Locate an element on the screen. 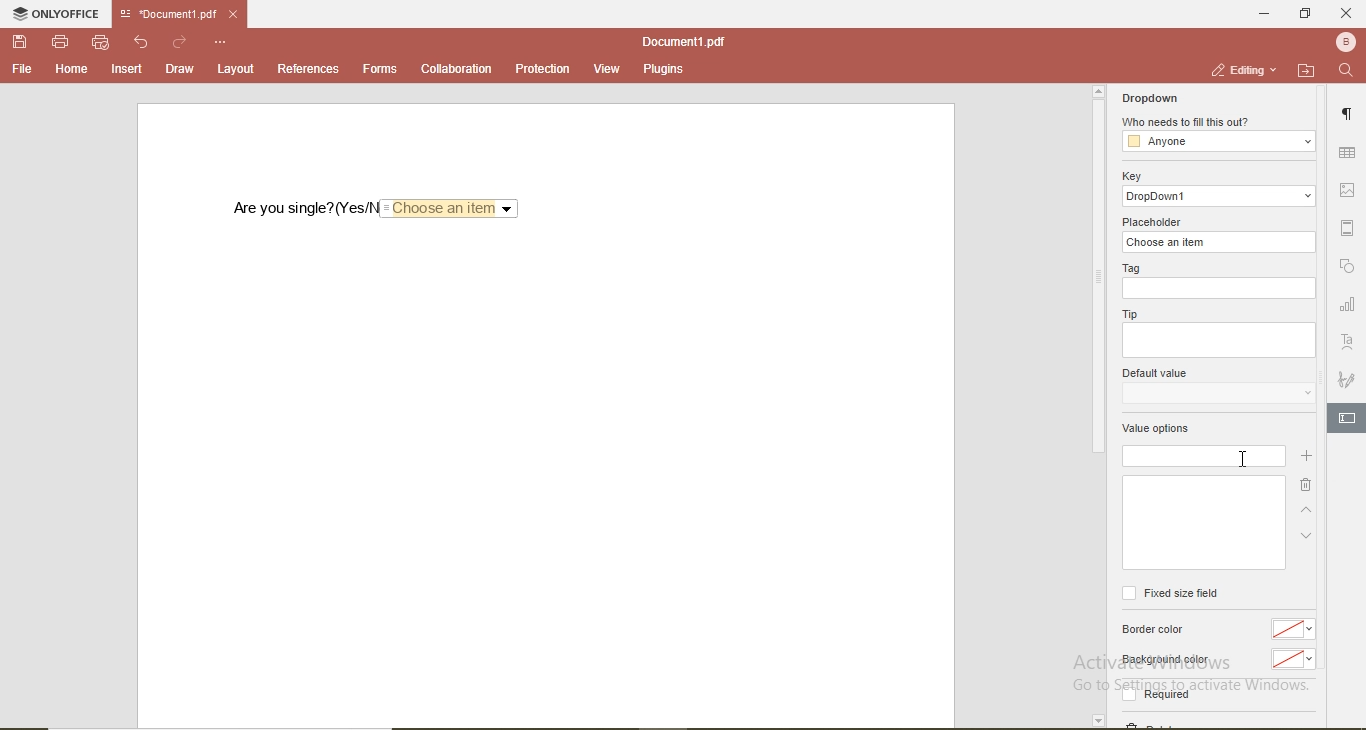 This screenshot has width=1366, height=730. protection is located at coordinates (544, 68).